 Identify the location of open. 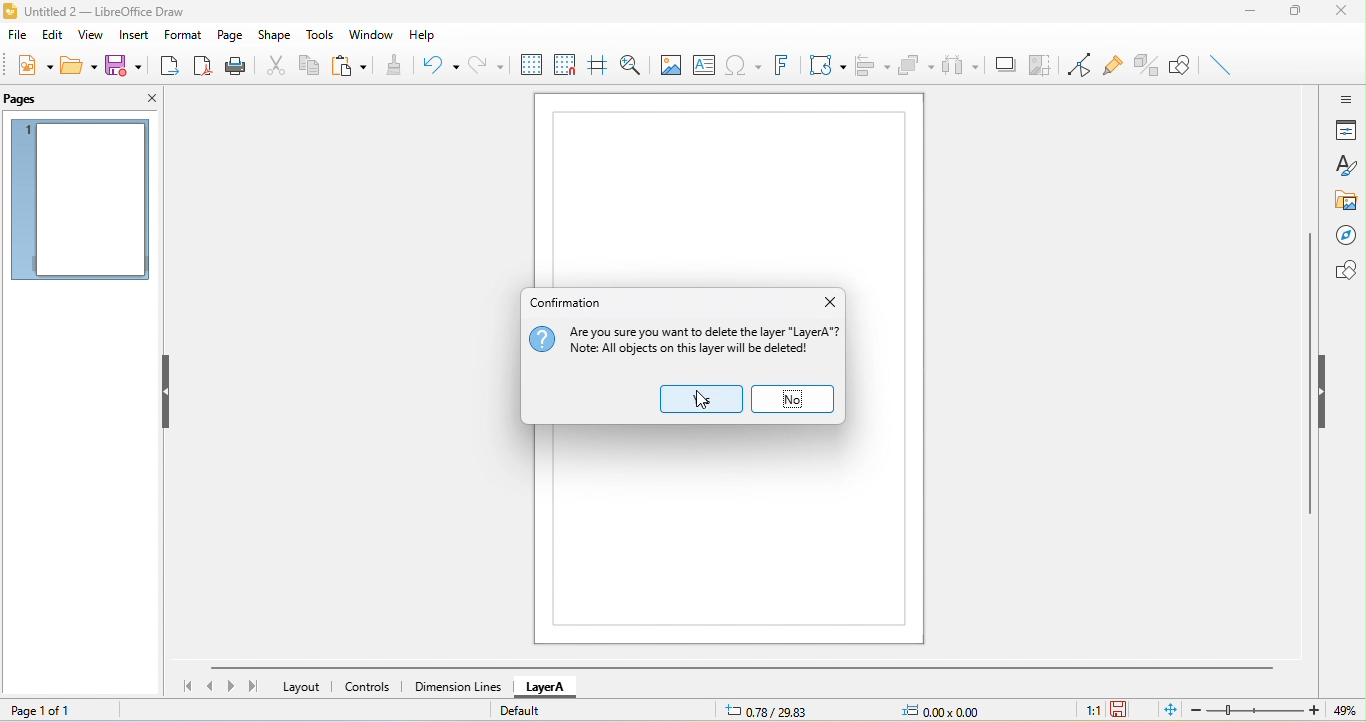
(77, 64).